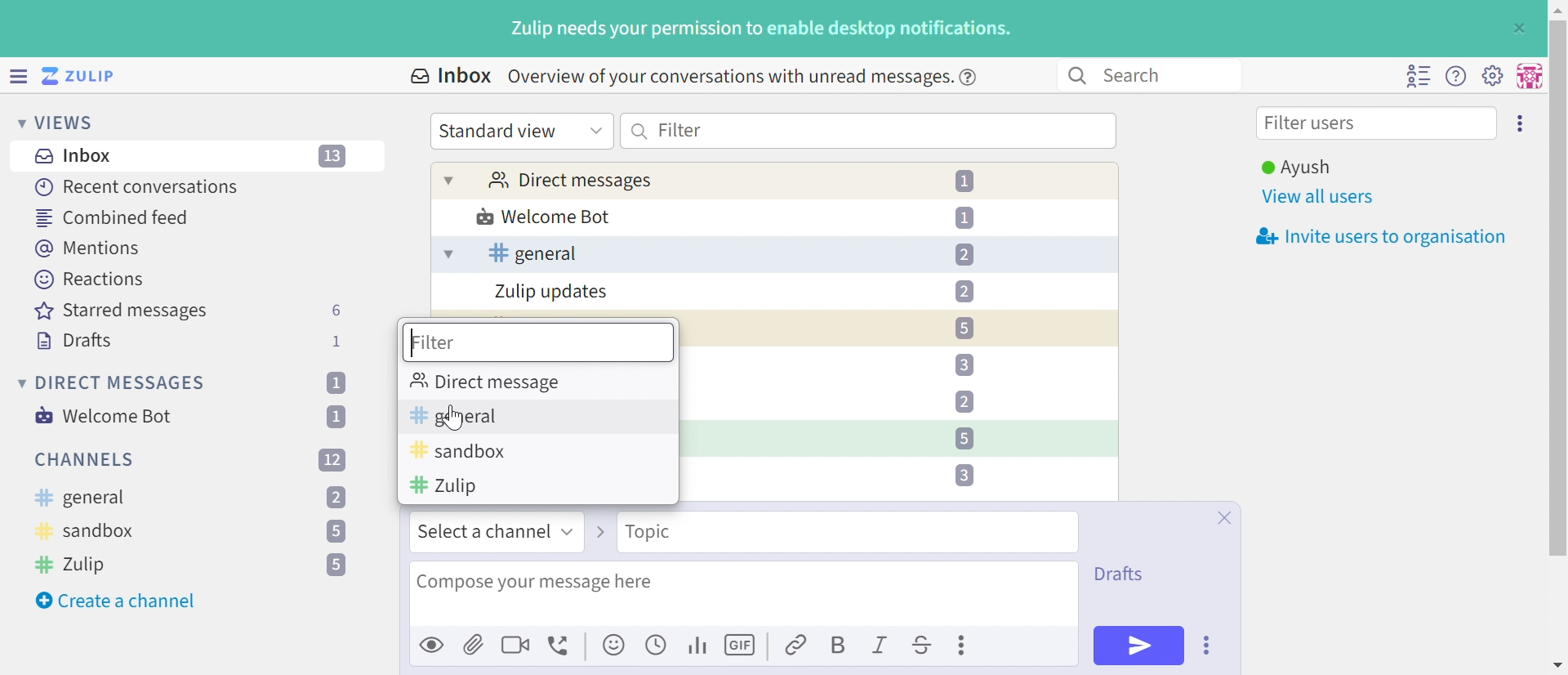 This screenshot has height=675, width=1568. What do you see at coordinates (881, 647) in the screenshot?
I see `Italic` at bounding box center [881, 647].